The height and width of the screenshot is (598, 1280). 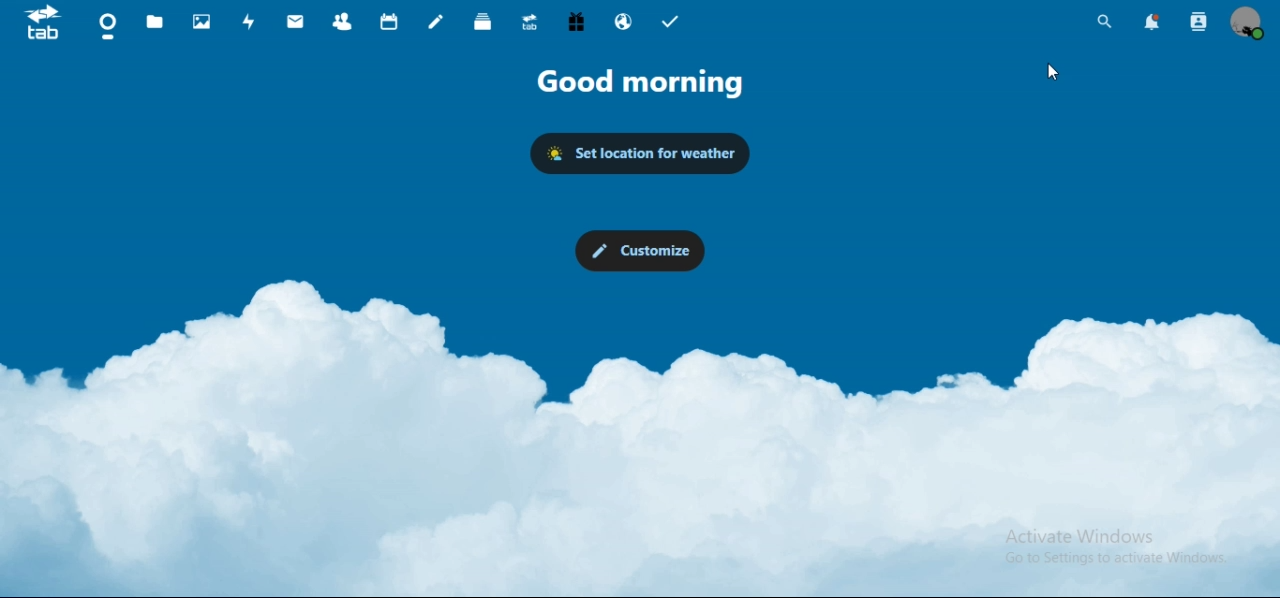 What do you see at coordinates (642, 81) in the screenshot?
I see `good morning` at bounding box center [642, 81].